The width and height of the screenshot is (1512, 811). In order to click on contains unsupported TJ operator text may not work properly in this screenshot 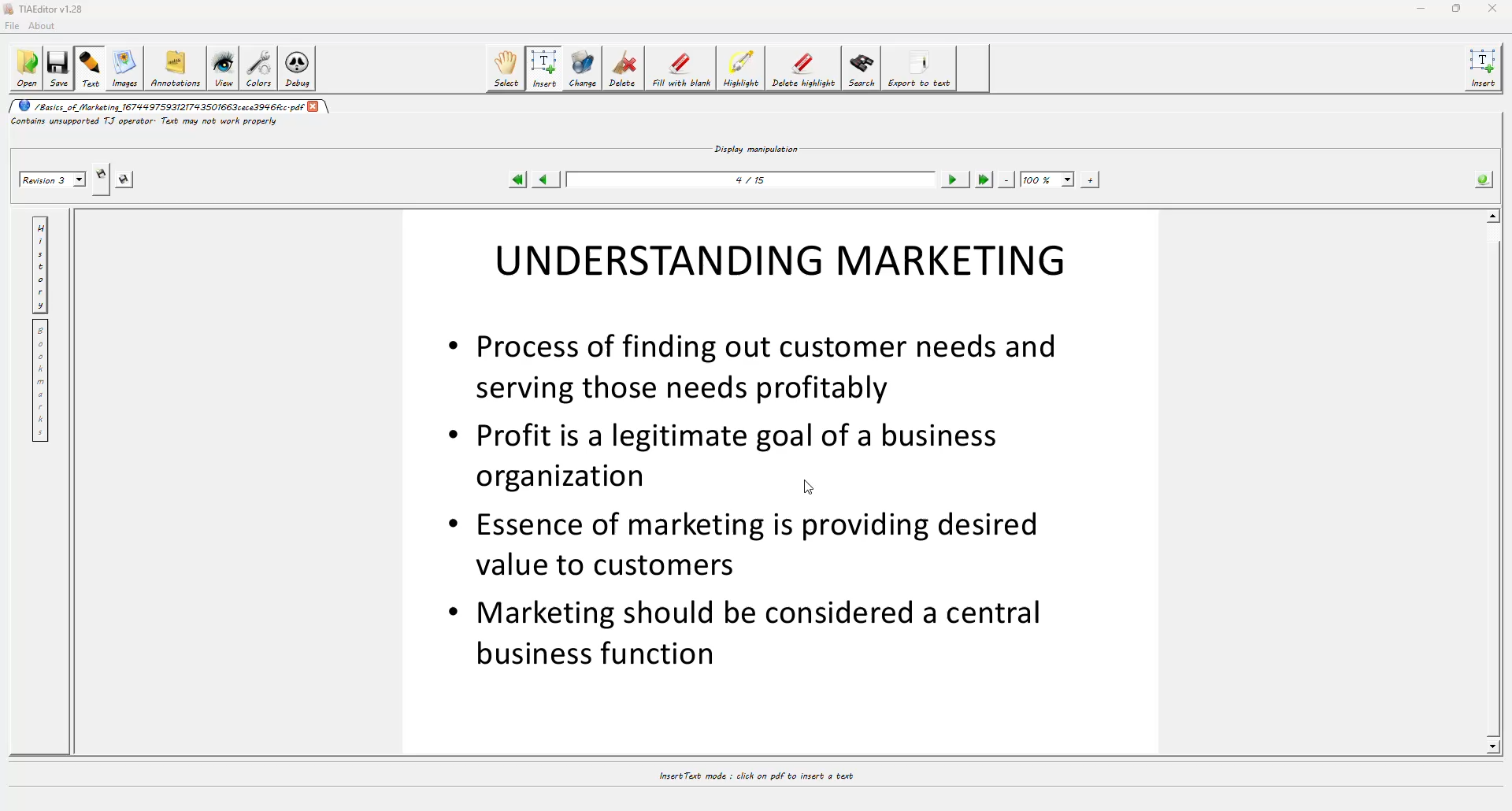, I will do `click(146, 124)`.